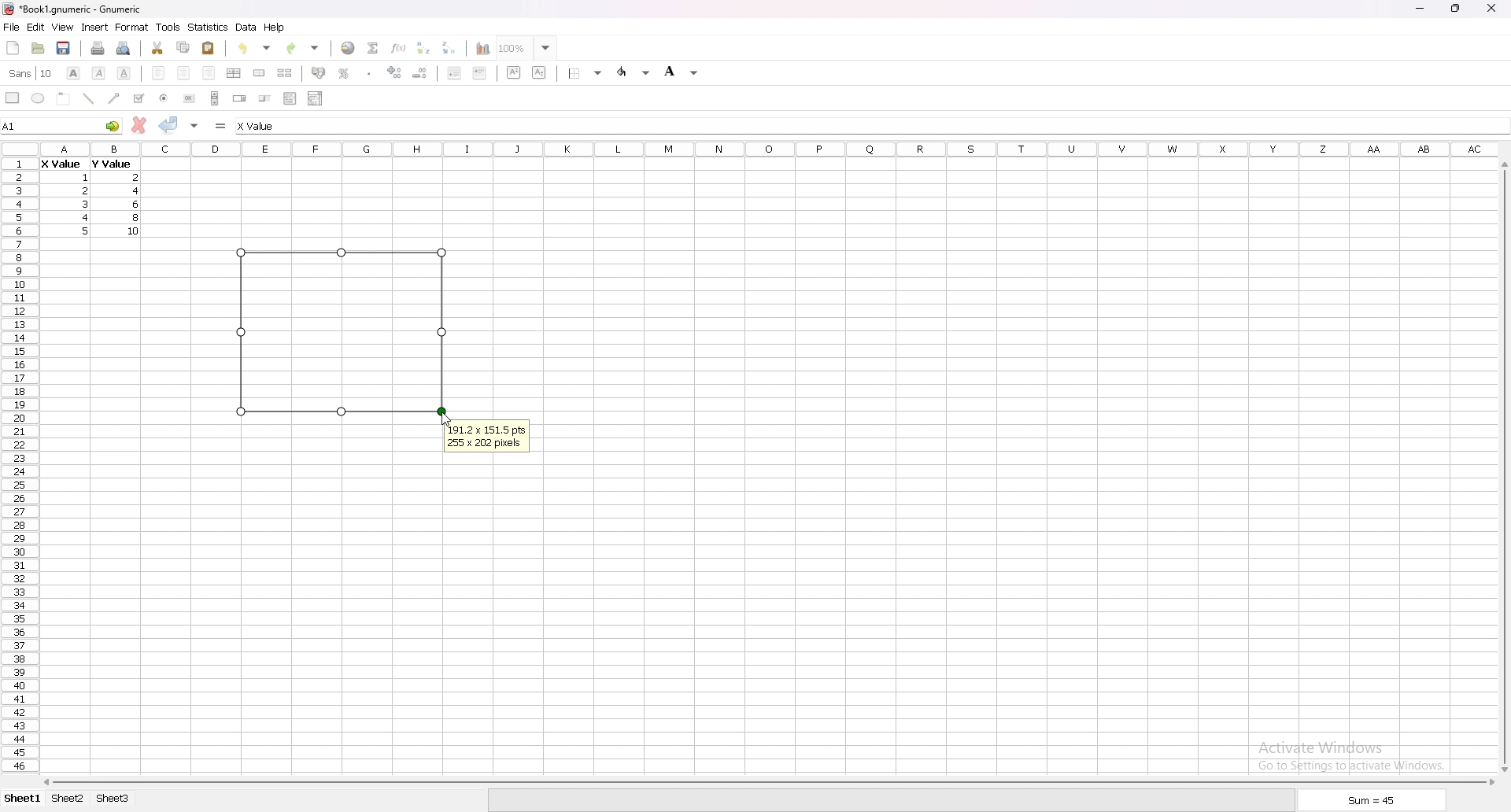 The image size is (1511, 812). What do you see at coordinates (196, 124) in the screenshot?
I see `accept change in multple cell` at bounding box center [196, 124].